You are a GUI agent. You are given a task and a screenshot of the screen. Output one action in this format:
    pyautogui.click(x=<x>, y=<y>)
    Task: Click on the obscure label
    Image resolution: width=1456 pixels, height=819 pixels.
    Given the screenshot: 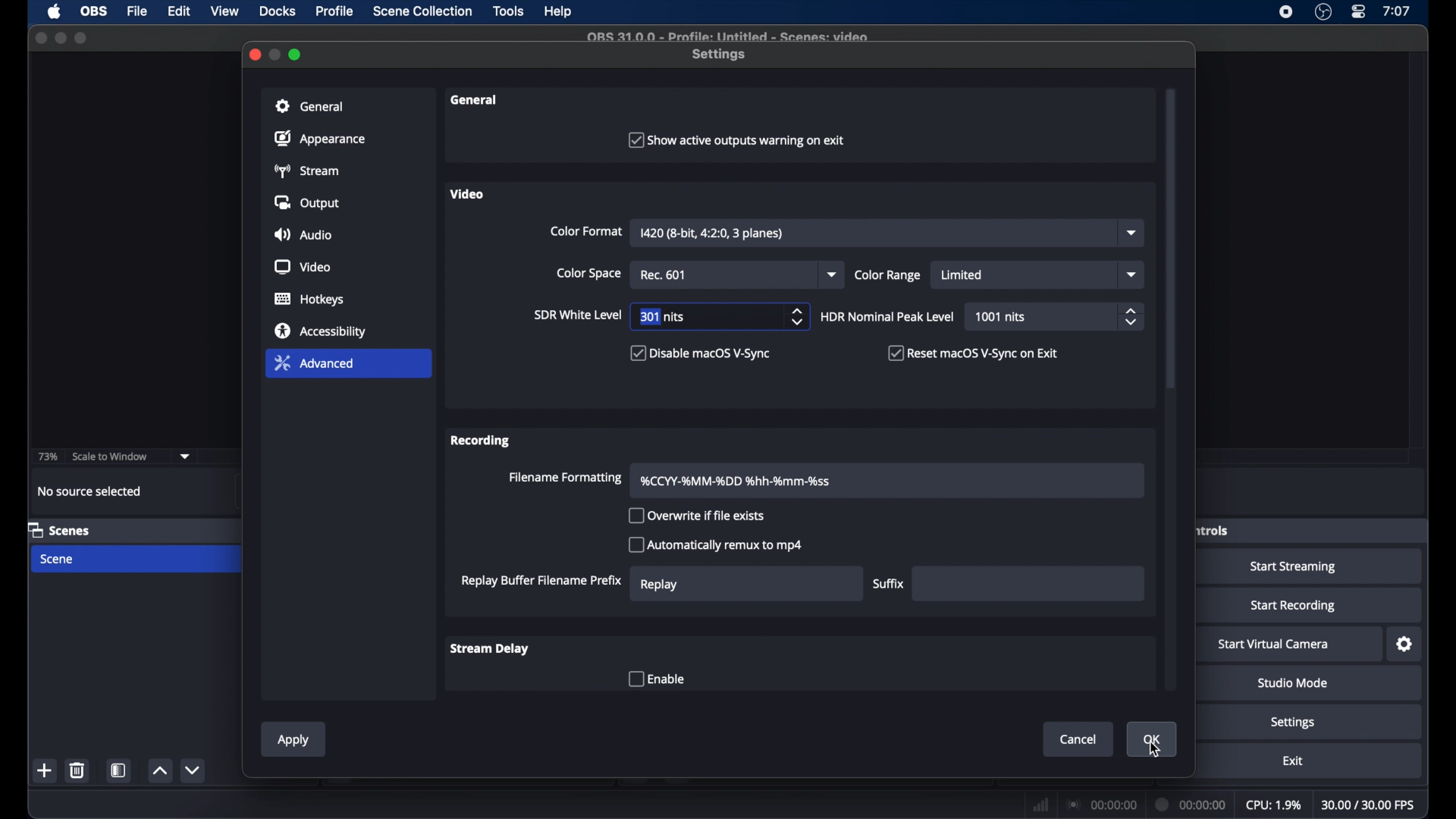 What is the action you would take?
    pyautogui.click(x=1214, y=531)
    